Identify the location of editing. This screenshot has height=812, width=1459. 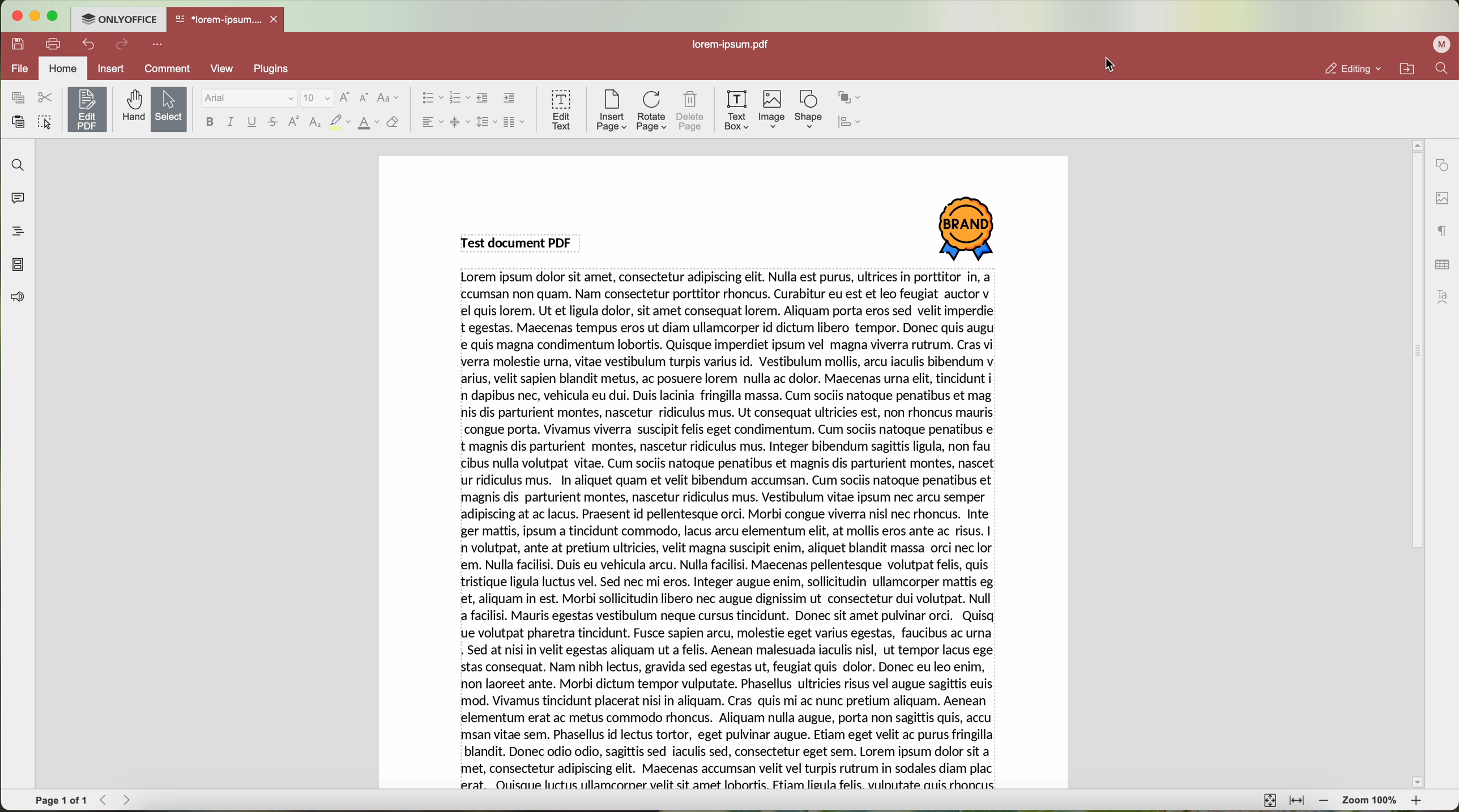
(1352, 69).